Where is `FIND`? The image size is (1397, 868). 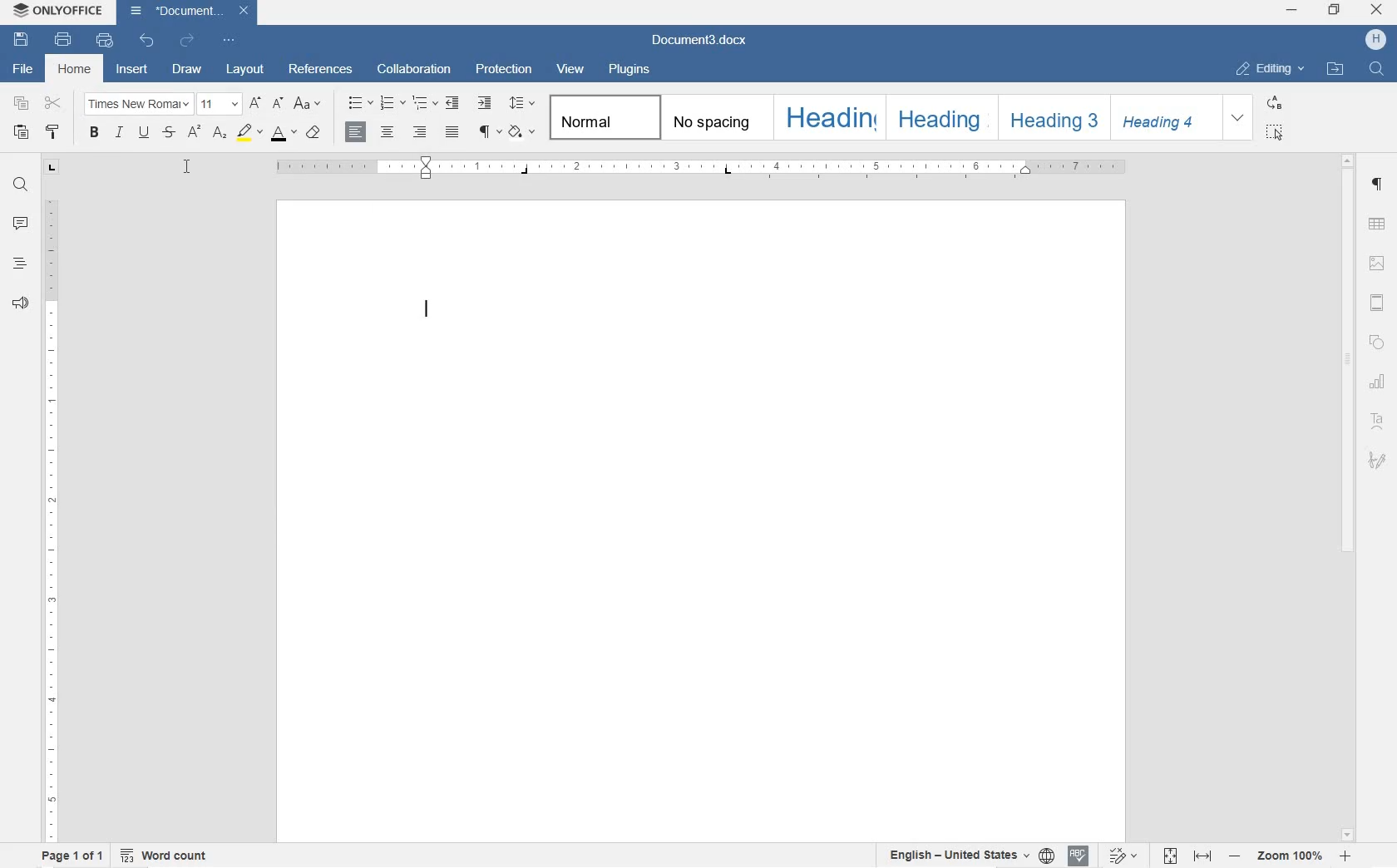
FIND is located at coordinates (17, 184).